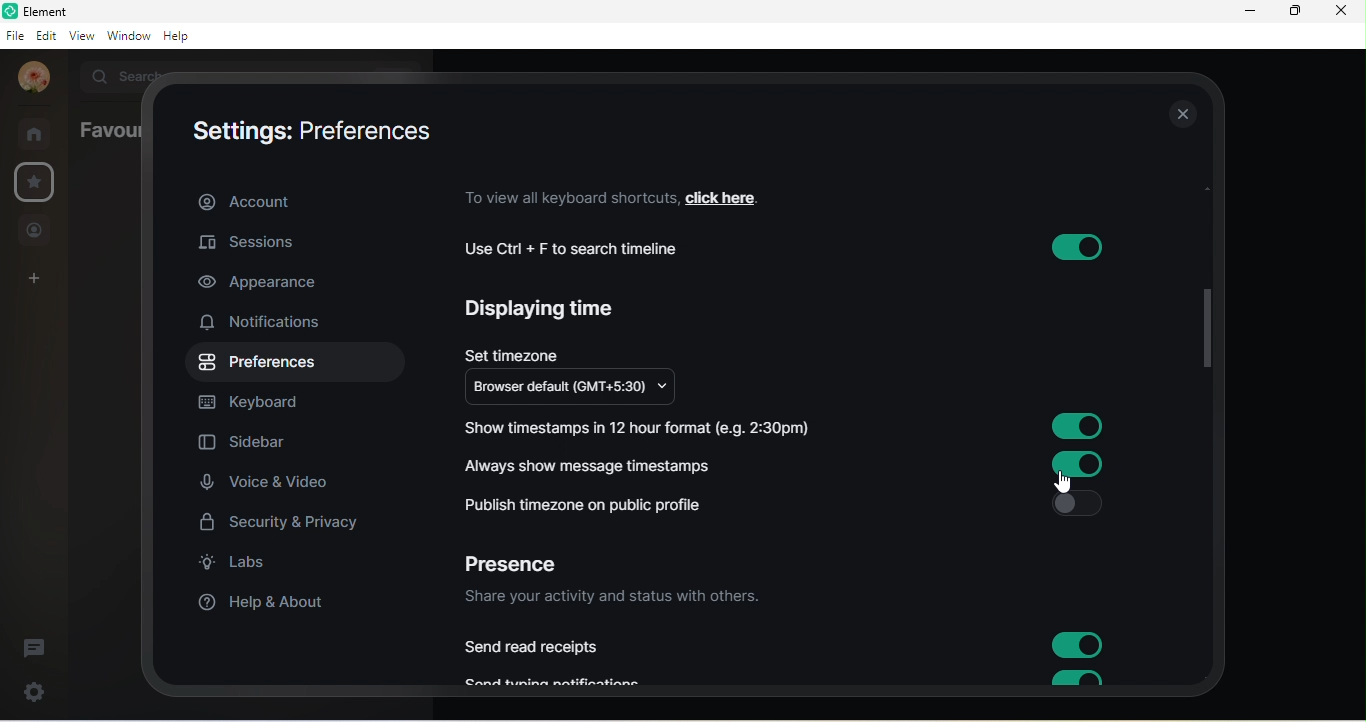 The image size is (1366, 722). I want to click on voice and video, so click(271, 484).